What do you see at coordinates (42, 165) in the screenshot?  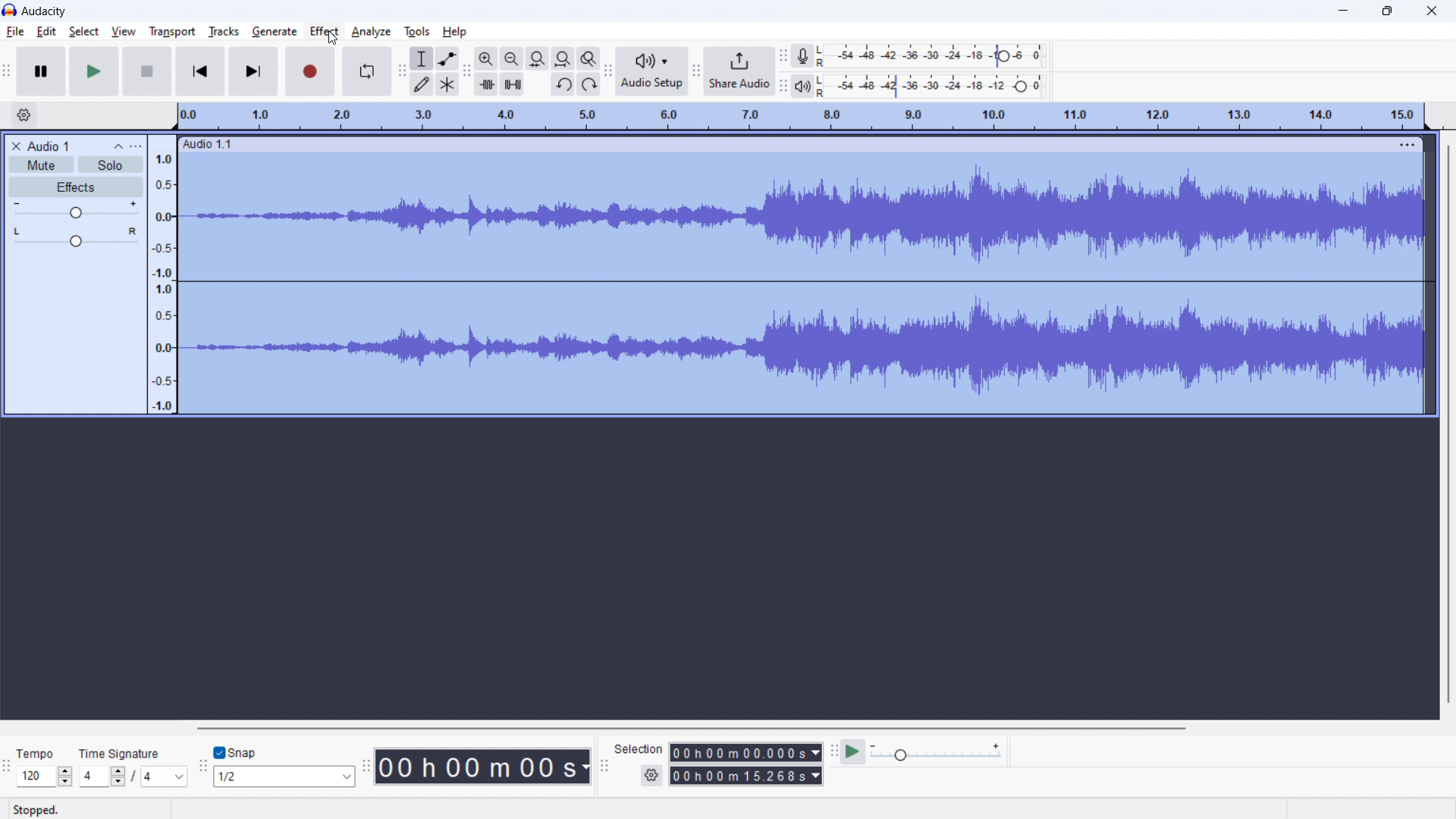 I see `mute` at bounding box center [42, 165].